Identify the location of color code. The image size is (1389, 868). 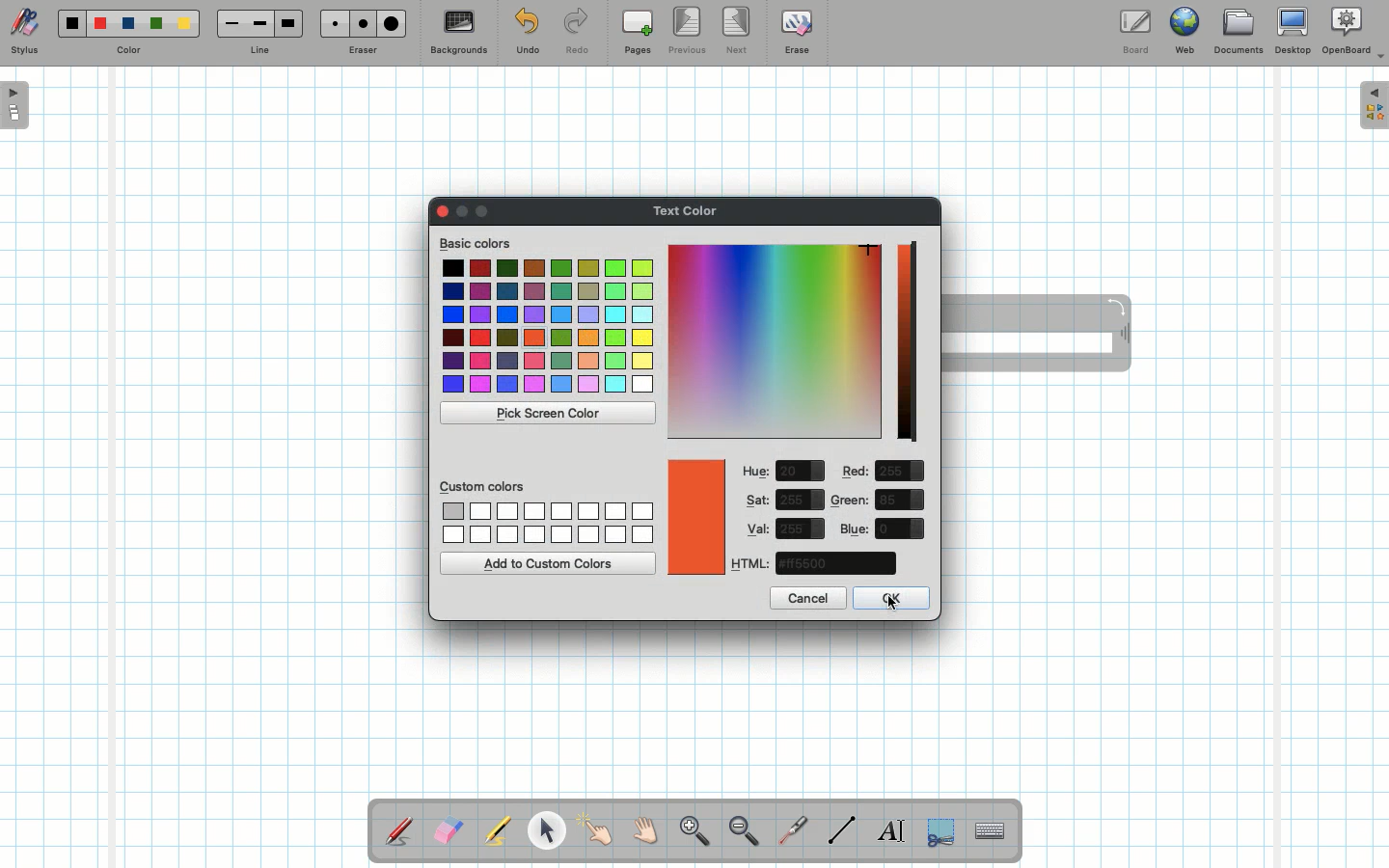
(834, 563).